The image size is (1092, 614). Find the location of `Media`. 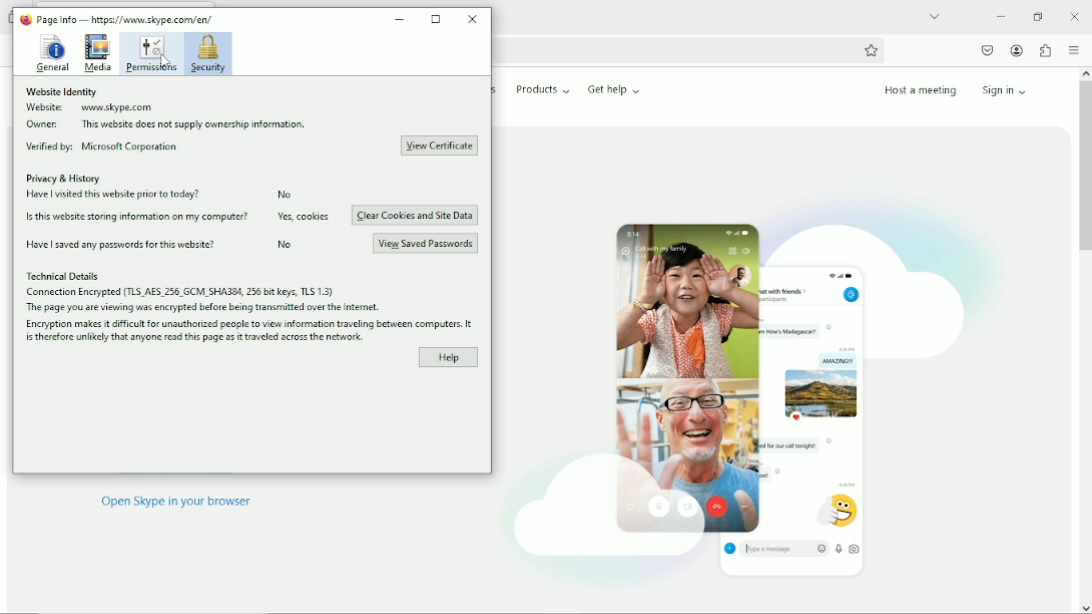

Media is located at coordinates (97, 53).